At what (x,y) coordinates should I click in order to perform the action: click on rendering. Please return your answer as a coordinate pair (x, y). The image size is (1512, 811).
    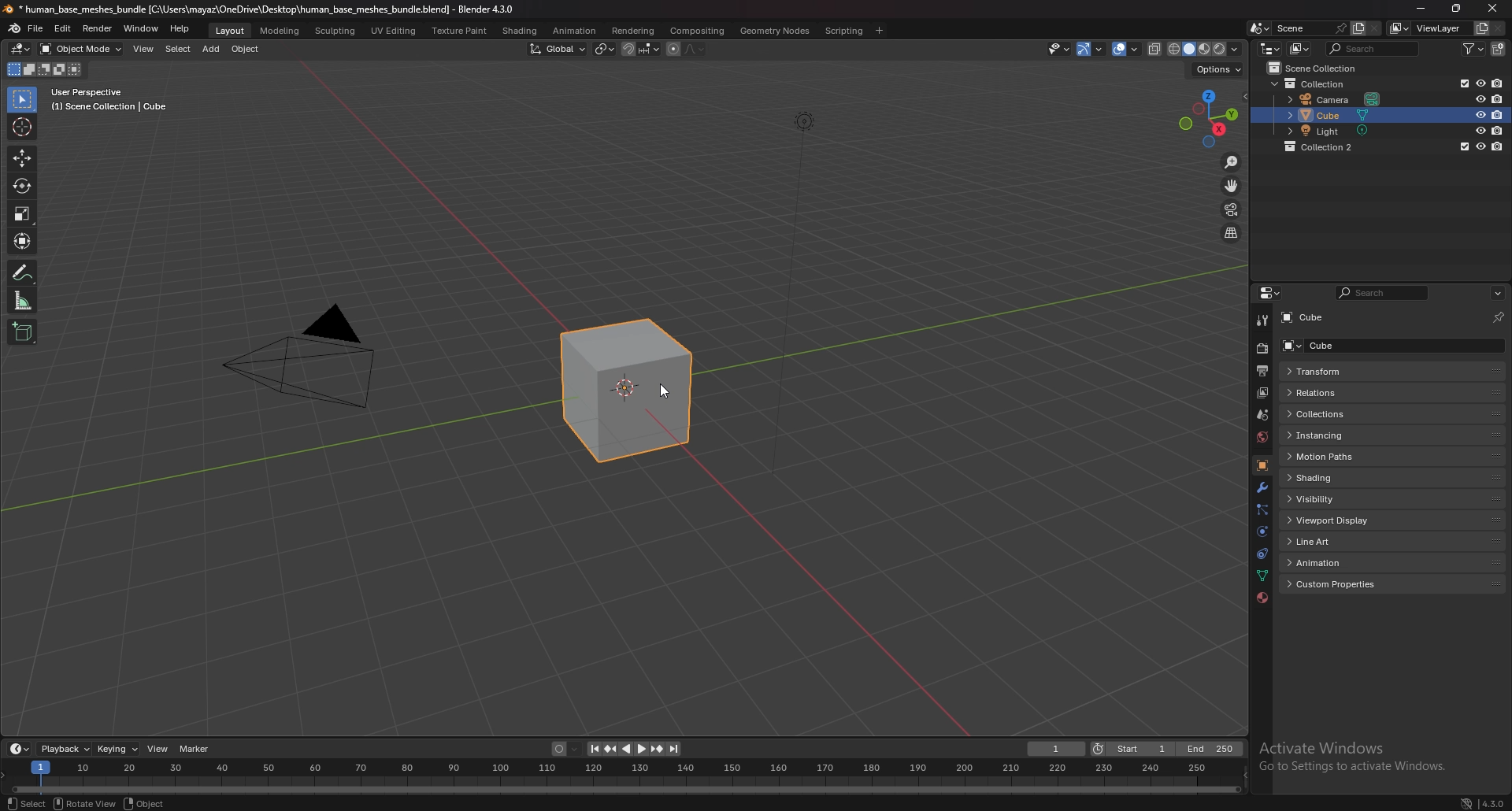
    Looking at the image, I should click on (633, 31).